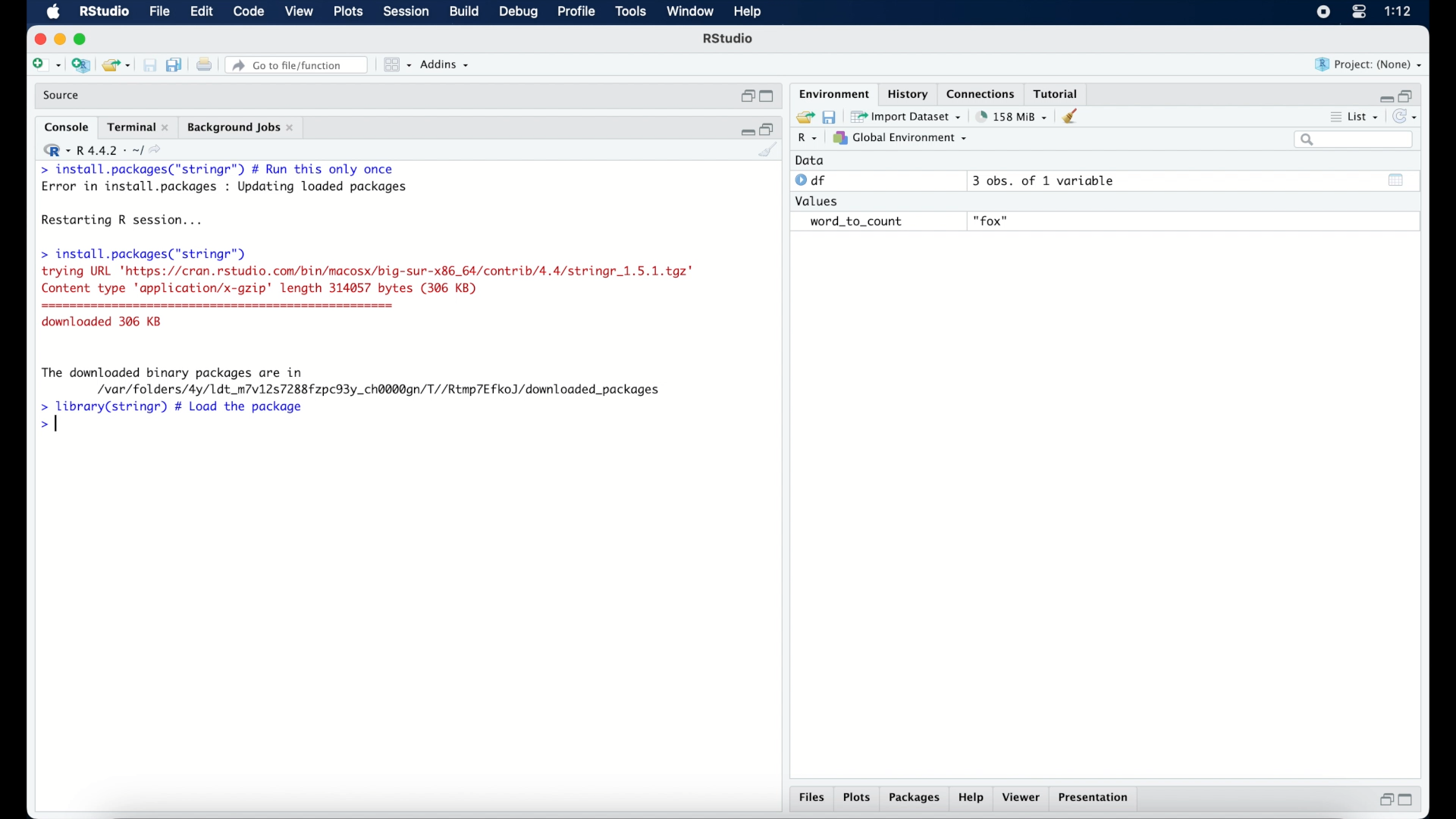 The width and height of the screenshot is (1456, 819). Describe the element at coordinates (201, 12) in the screenshot. I see `edit` at that location.